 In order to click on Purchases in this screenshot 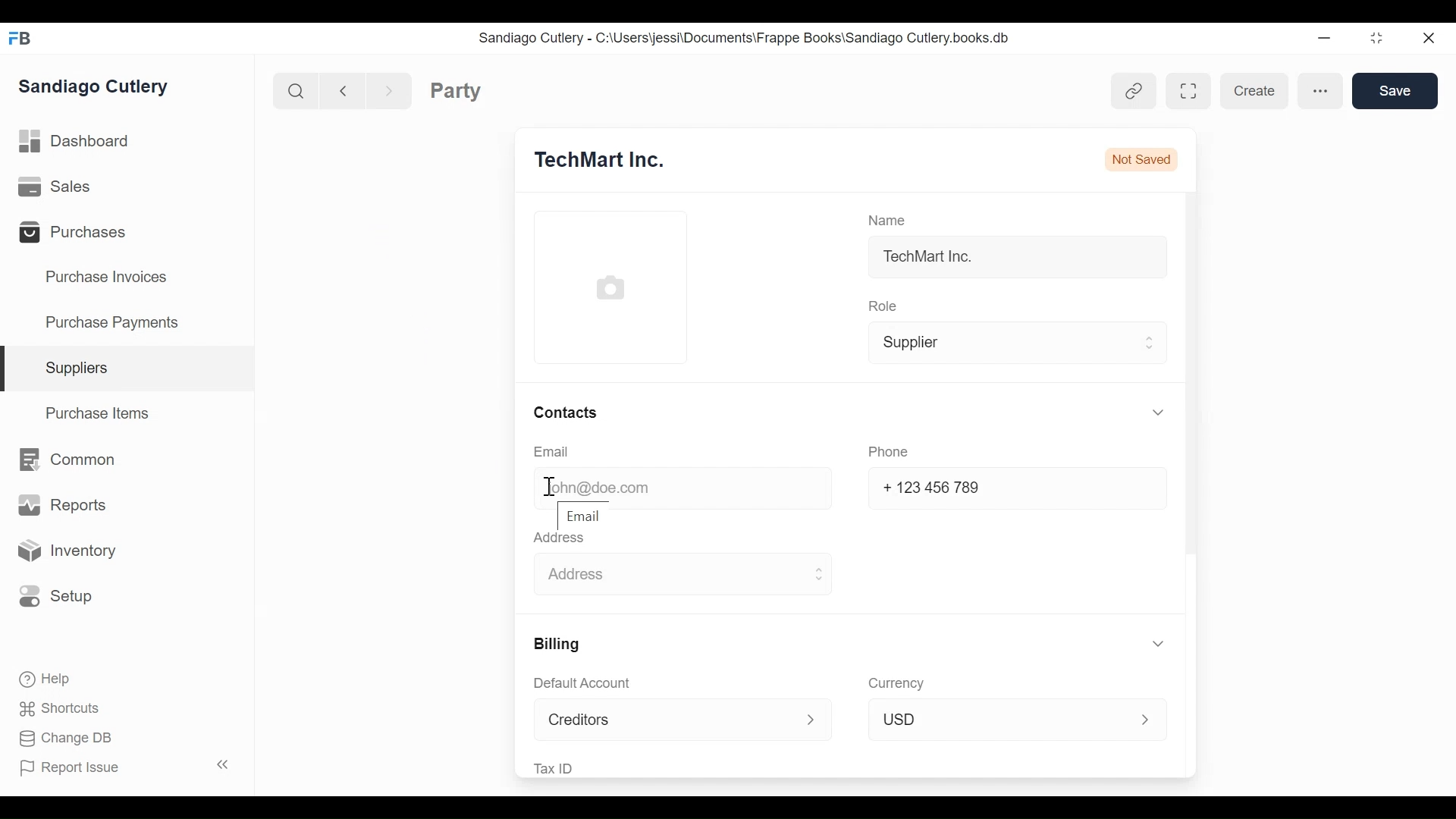, I will do `click(82, 234)`.